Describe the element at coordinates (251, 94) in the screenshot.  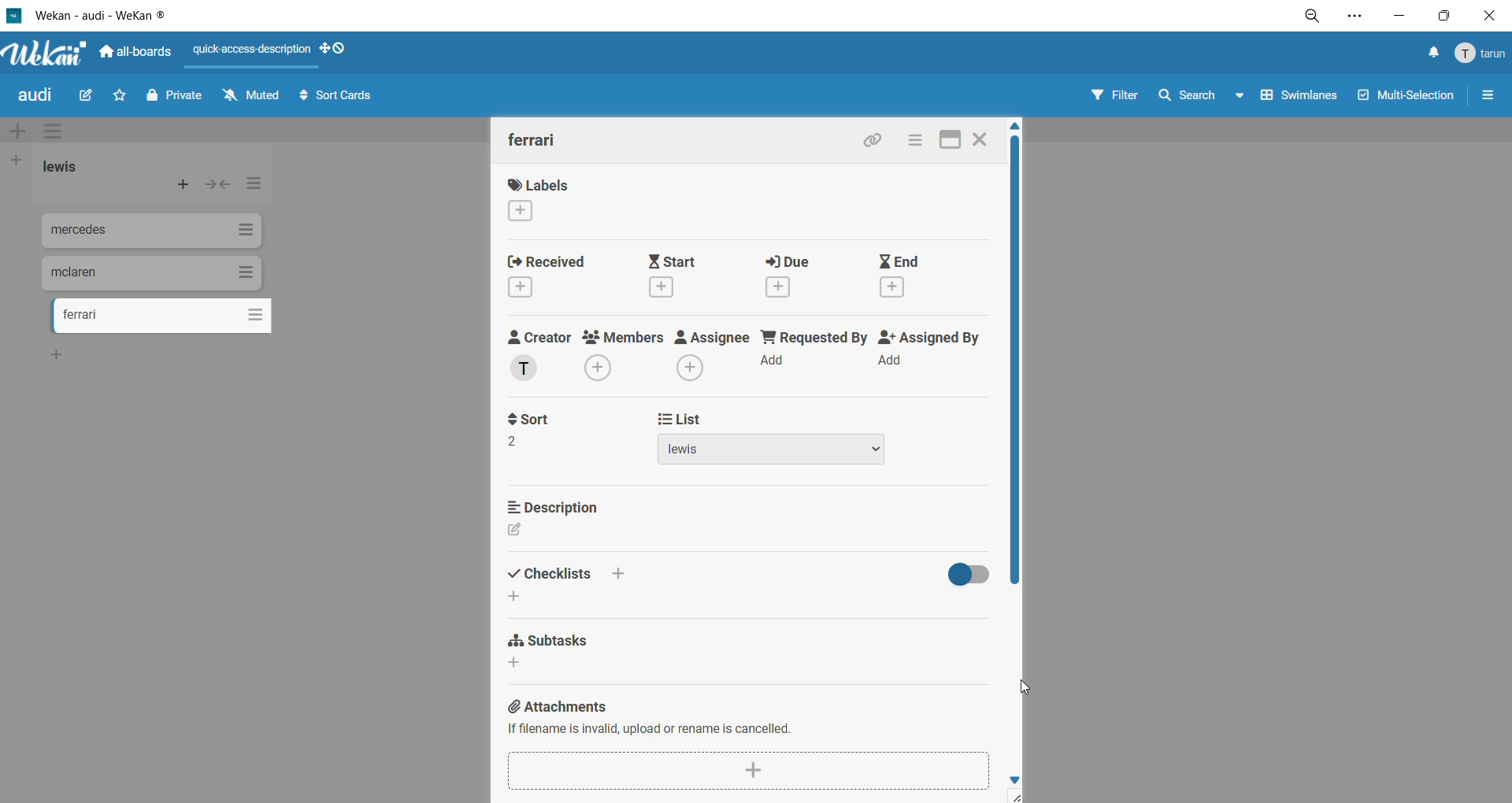
I see `muted` at that location.